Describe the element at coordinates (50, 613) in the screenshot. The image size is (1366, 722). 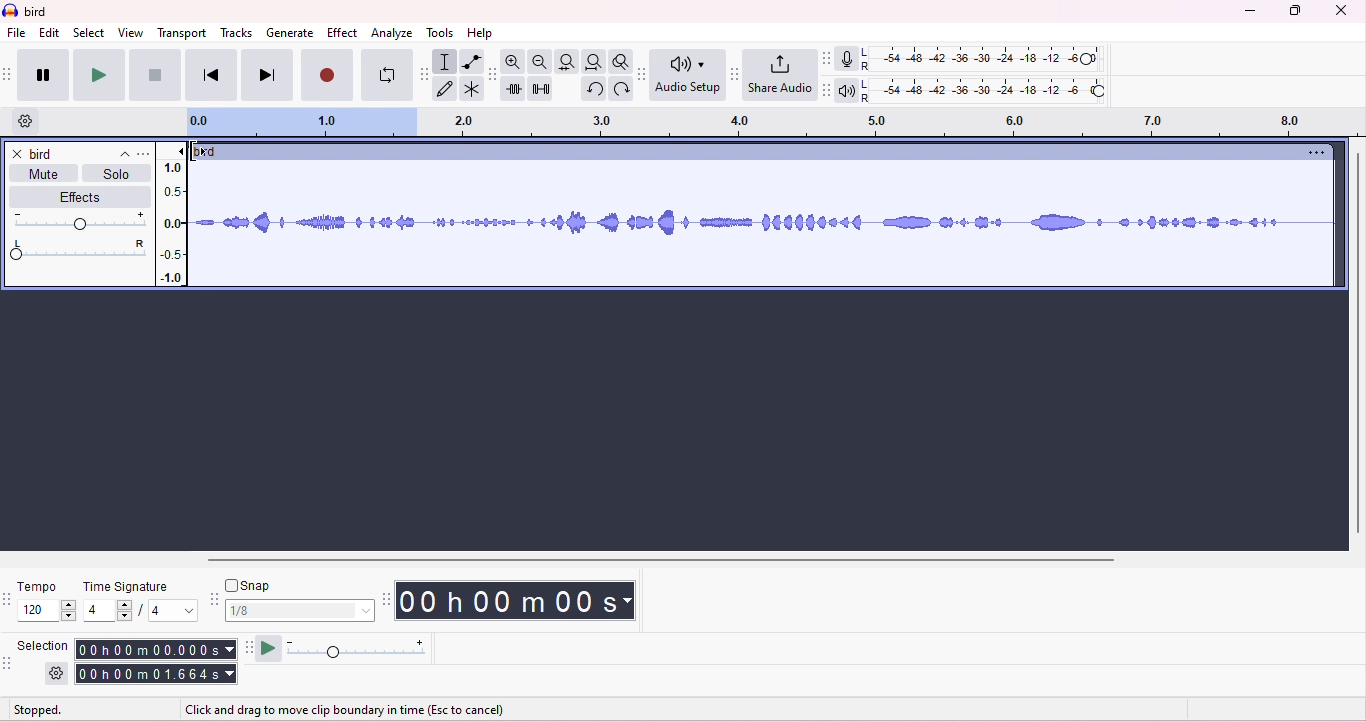
I see `select tempo` at that location.